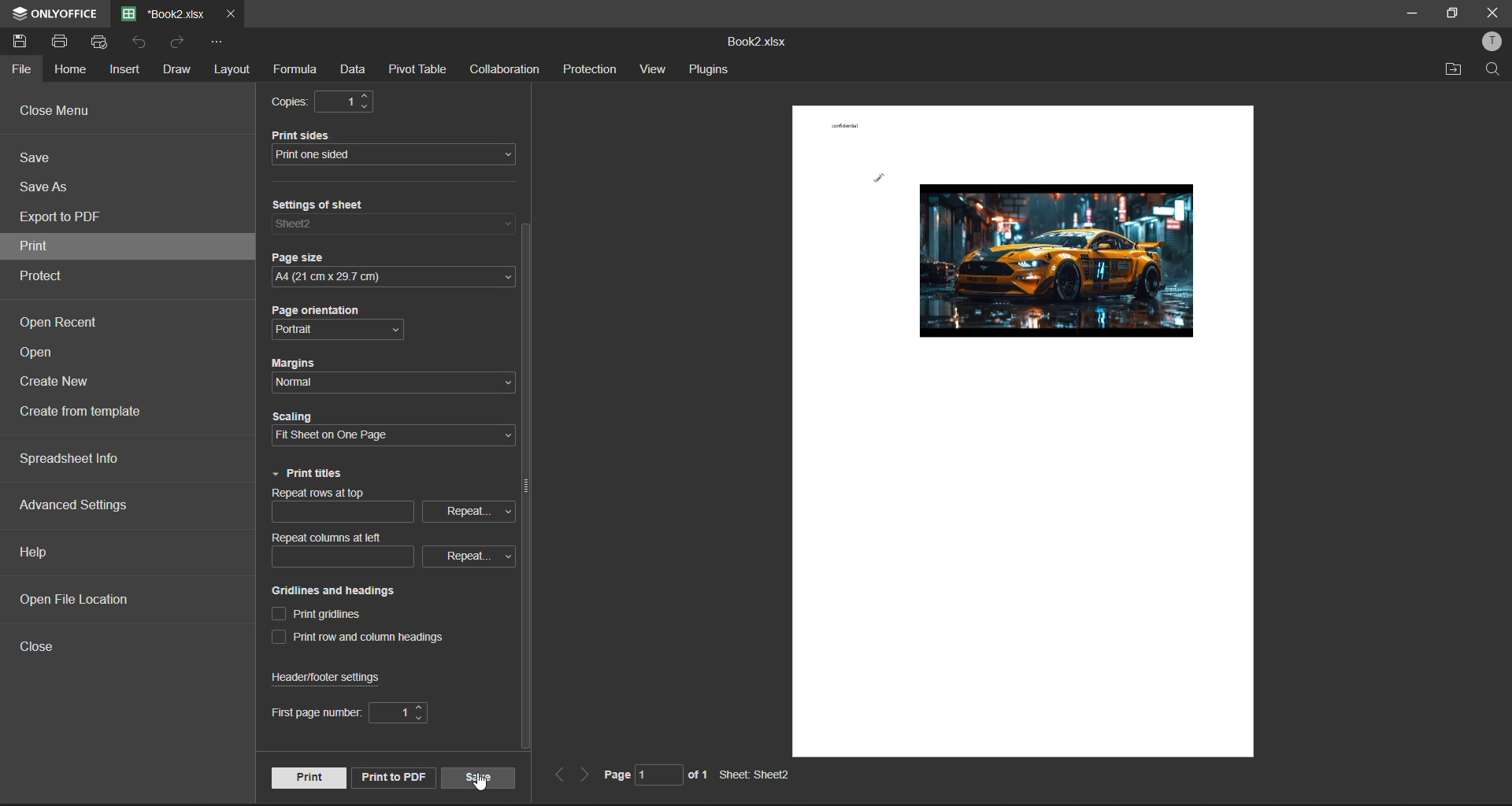 The width and height of the screenshot is (1512, 806). Describe the element at coordinates (761, 775) in the screenshot. I see `sheet name` at that location.